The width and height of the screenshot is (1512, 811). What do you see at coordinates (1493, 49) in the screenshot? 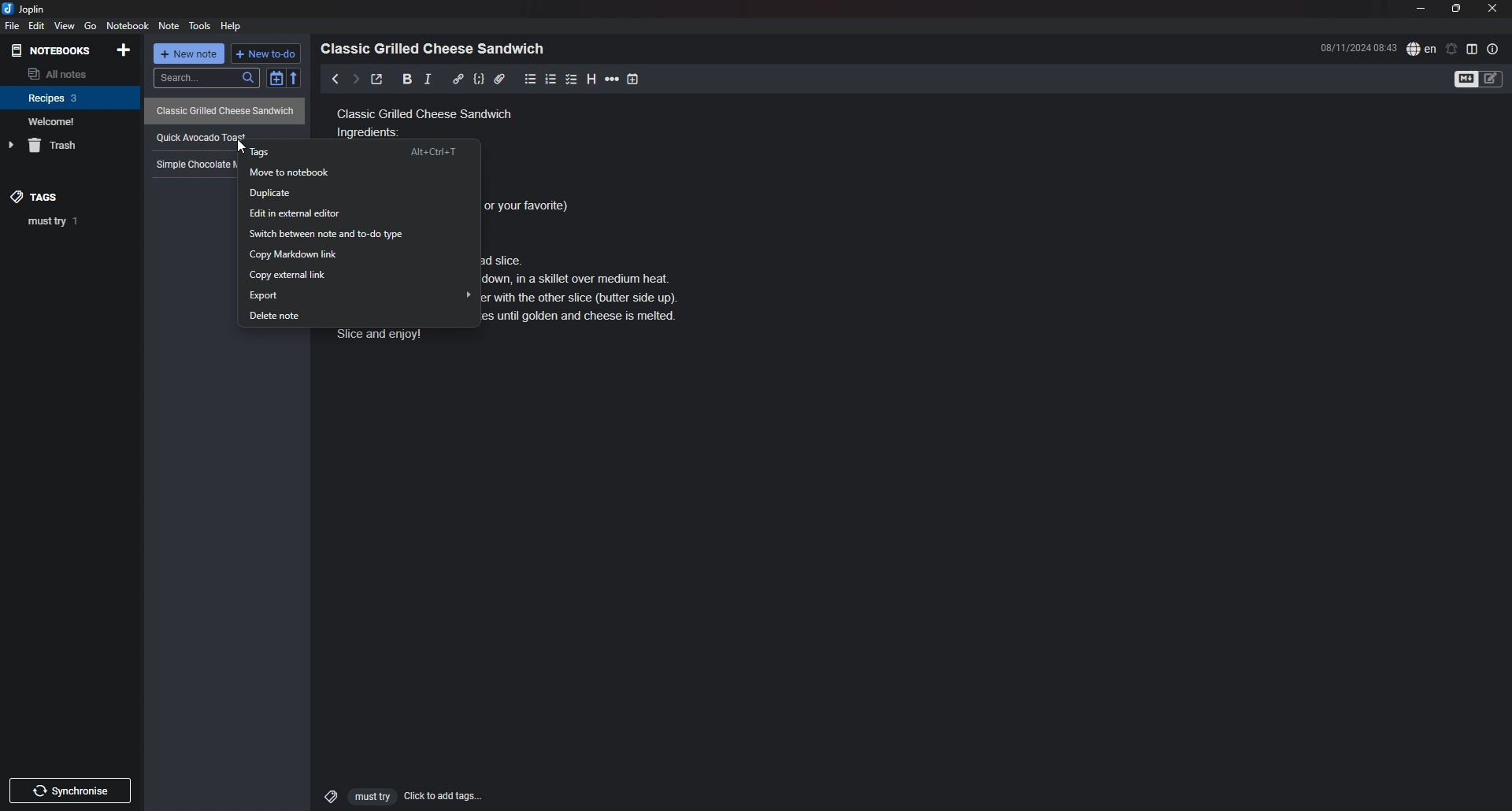
I see `note properties` at bounding box center [1493, 49].